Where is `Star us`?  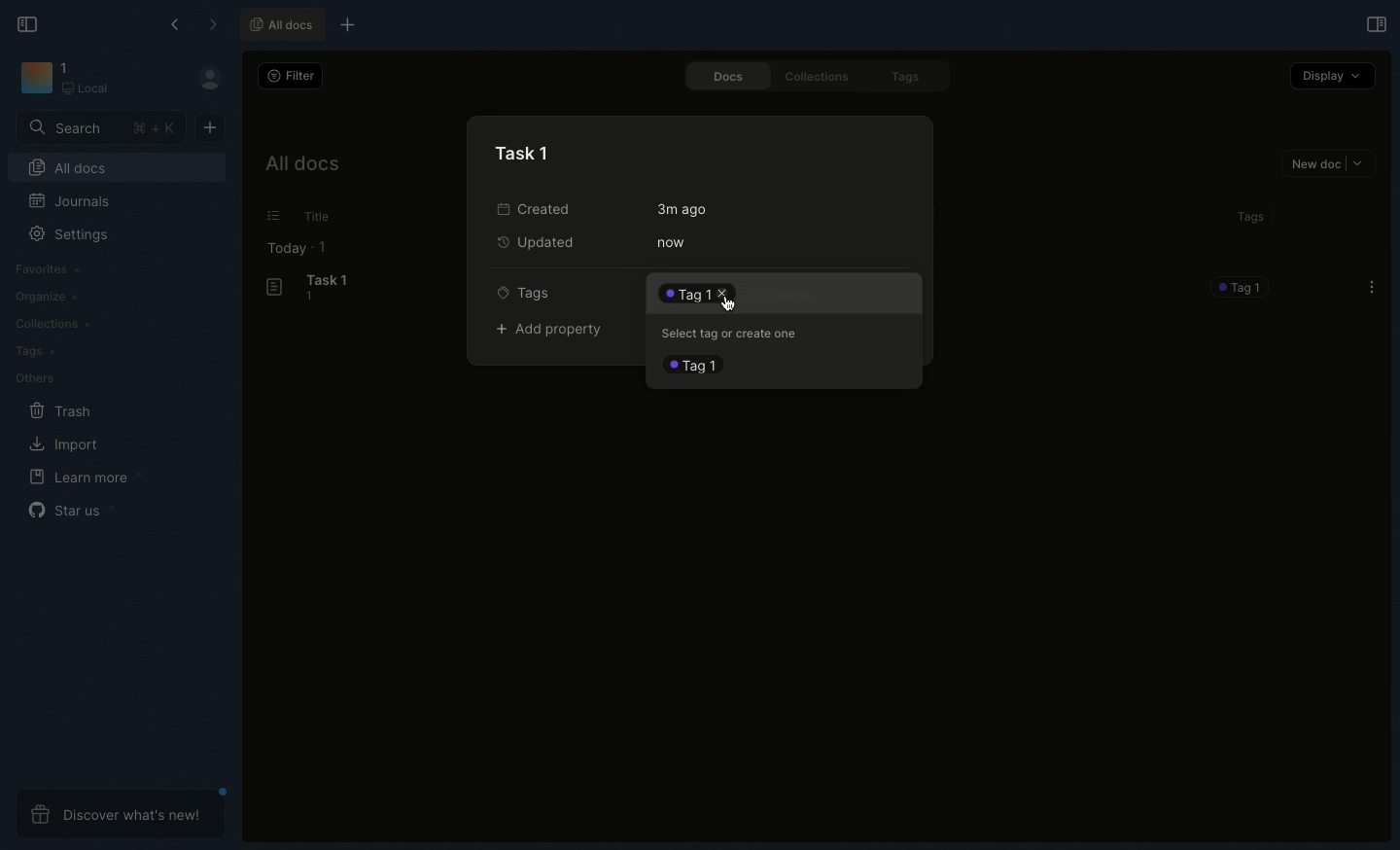 Star us is located at coordinates (68, 509).